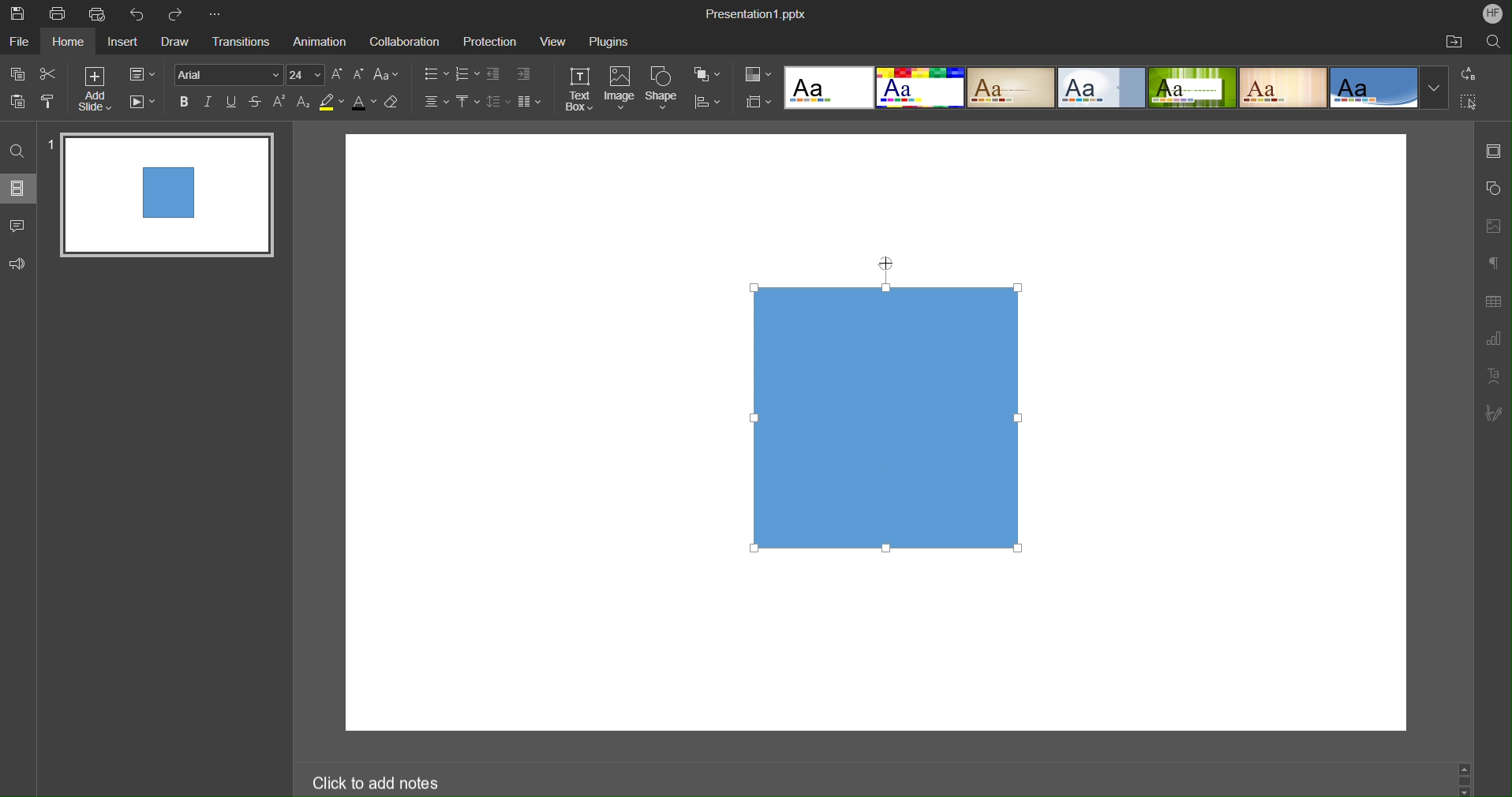  Describe the element at coordinates (142, 73) in the screenshot. I see `Slide Settings` at that location.